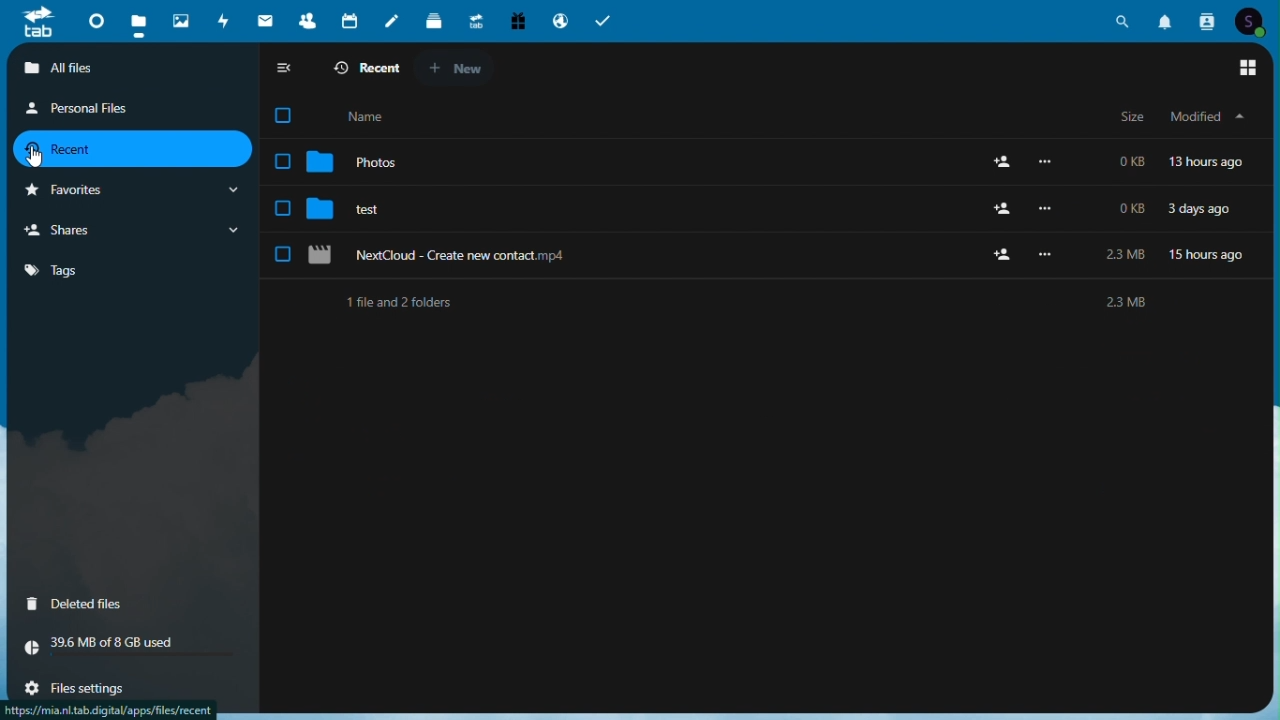  Describe the element at coordinates (433, 20) in the screenshot. I see `deck` at that location.